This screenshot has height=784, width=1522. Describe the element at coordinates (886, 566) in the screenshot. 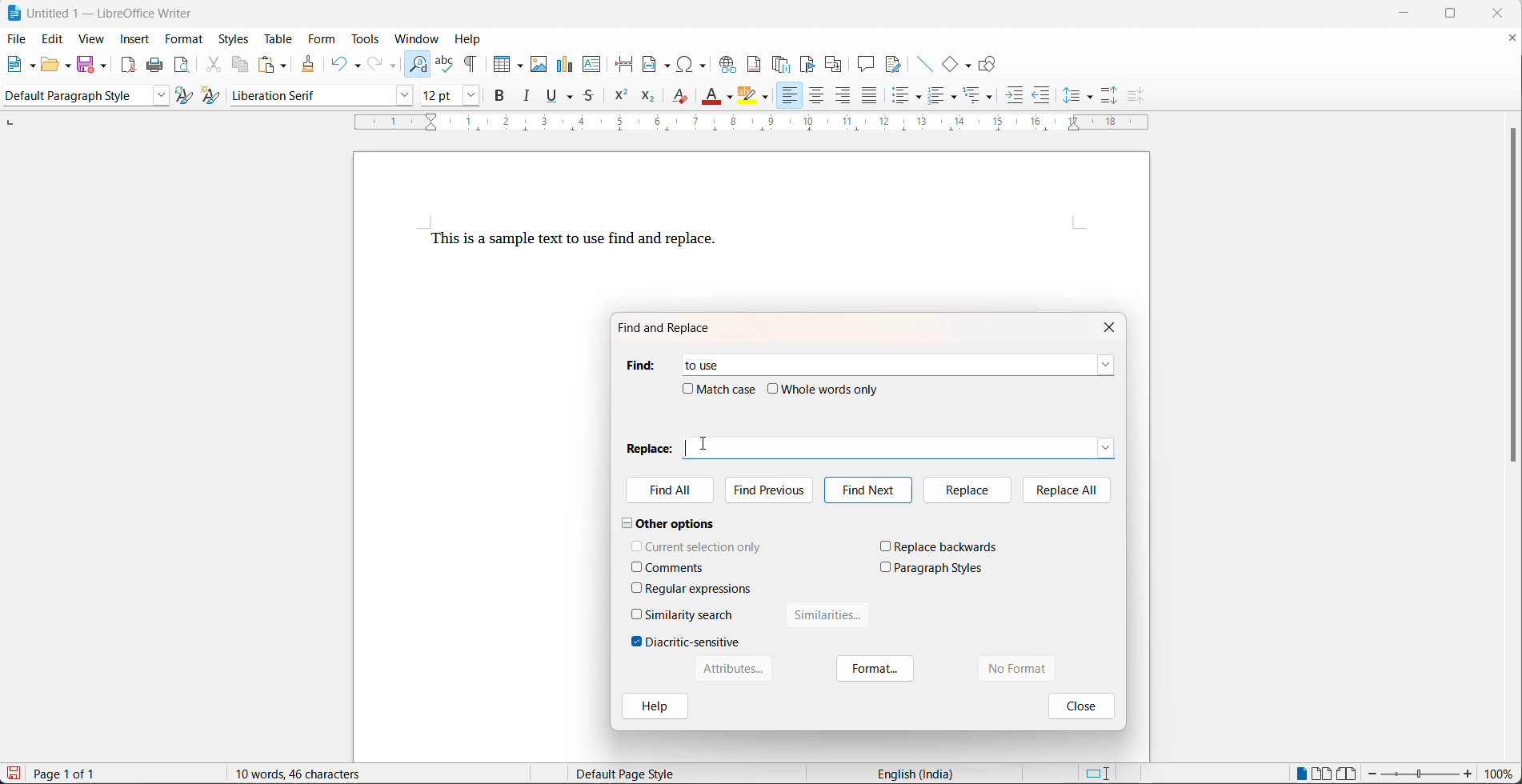

I see `checkbox` at that location.